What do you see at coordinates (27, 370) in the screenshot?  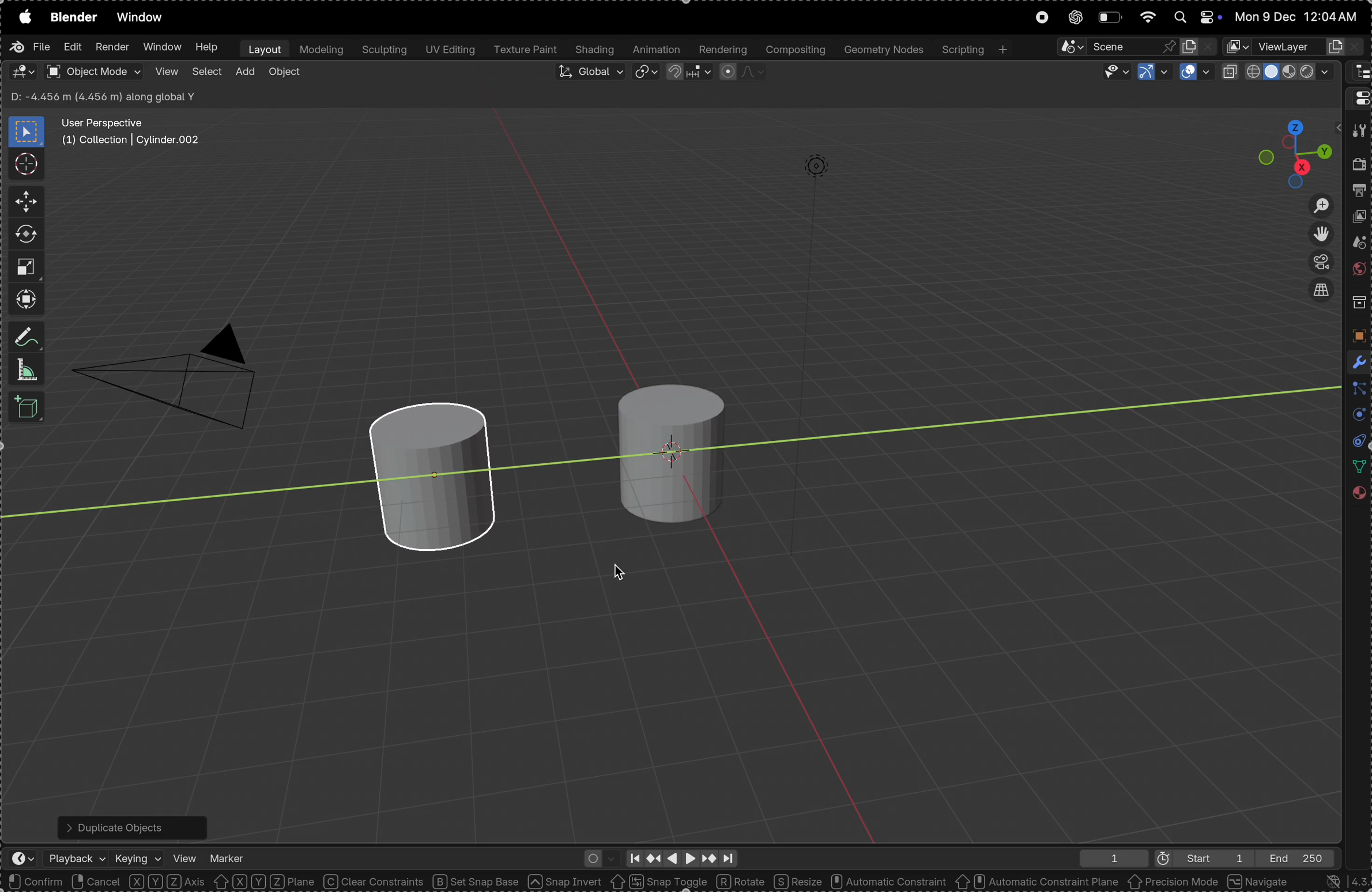 I see `measure` at bounding box center [27, 370].